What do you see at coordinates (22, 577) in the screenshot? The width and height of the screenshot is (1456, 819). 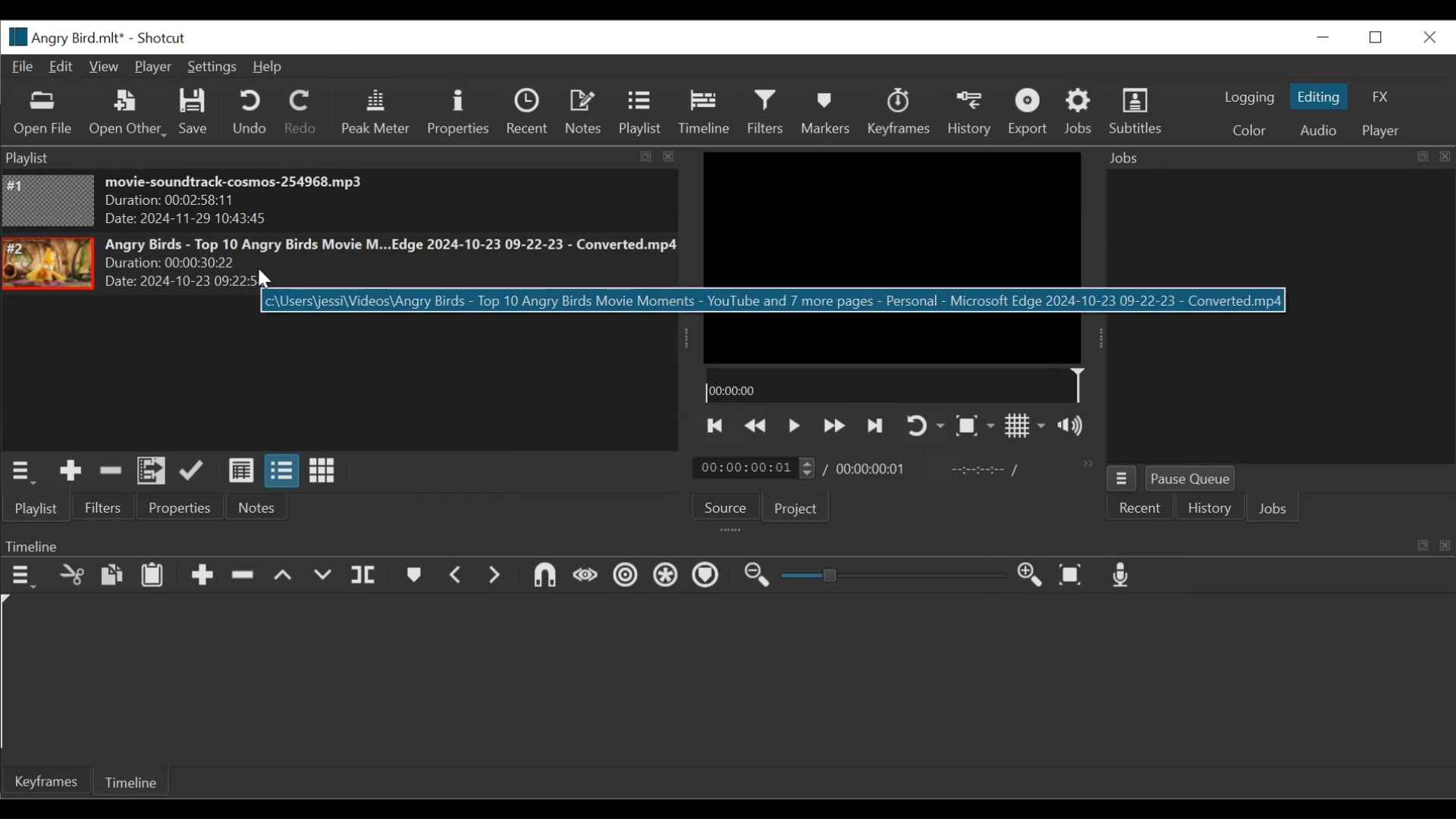 I see `Timeline menu` at bounding box center [22, 577].